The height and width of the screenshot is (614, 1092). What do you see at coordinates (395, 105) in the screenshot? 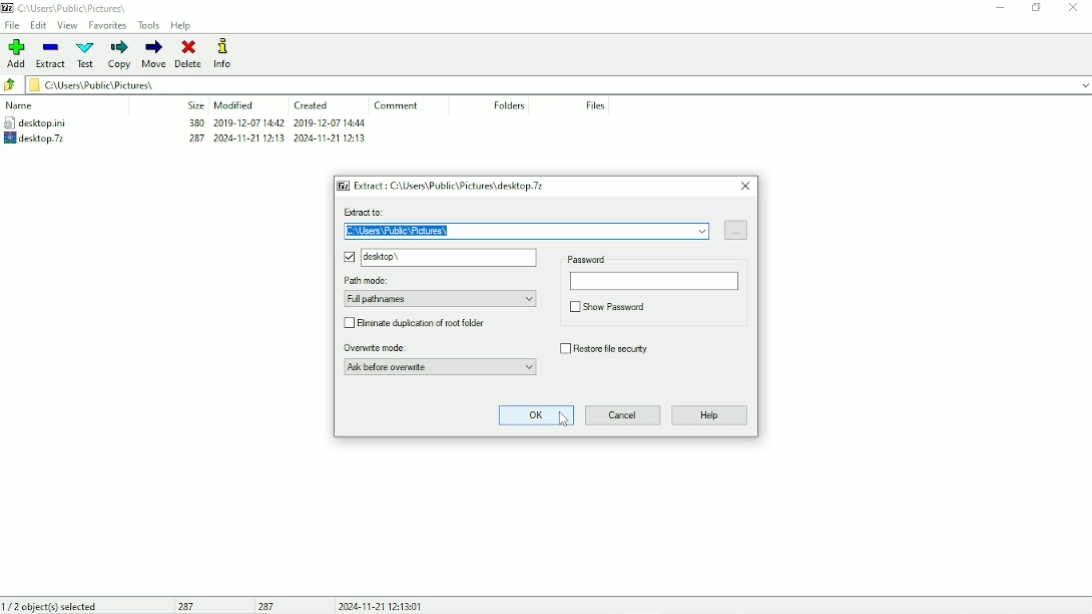
I see `Comment` at bounding box center [395, 105].